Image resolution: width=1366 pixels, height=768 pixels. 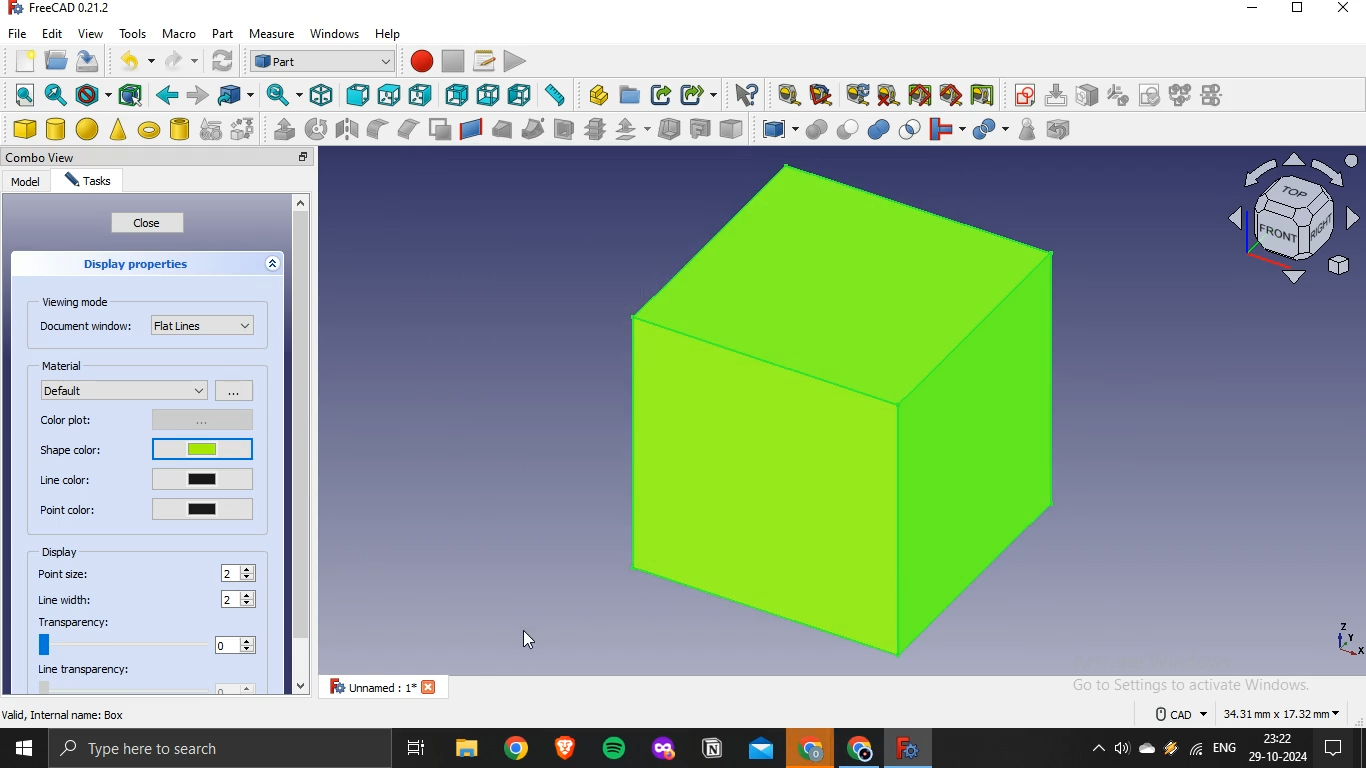 What do you see at coordinates (64, 9) in the screenshot?
I see `text` at bounding box center [64, 9].